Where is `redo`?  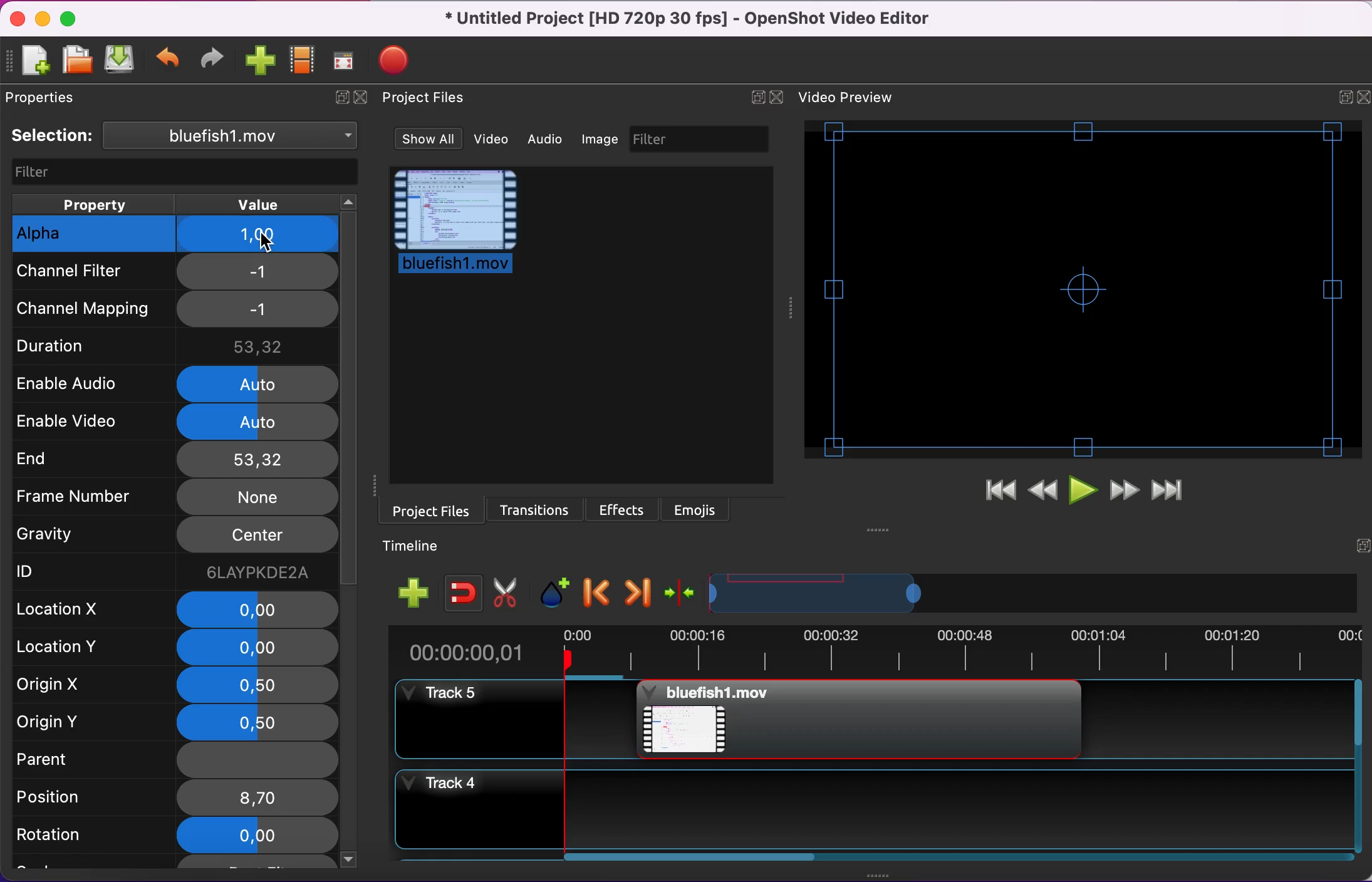 redo is located at coordinates (212, 60).